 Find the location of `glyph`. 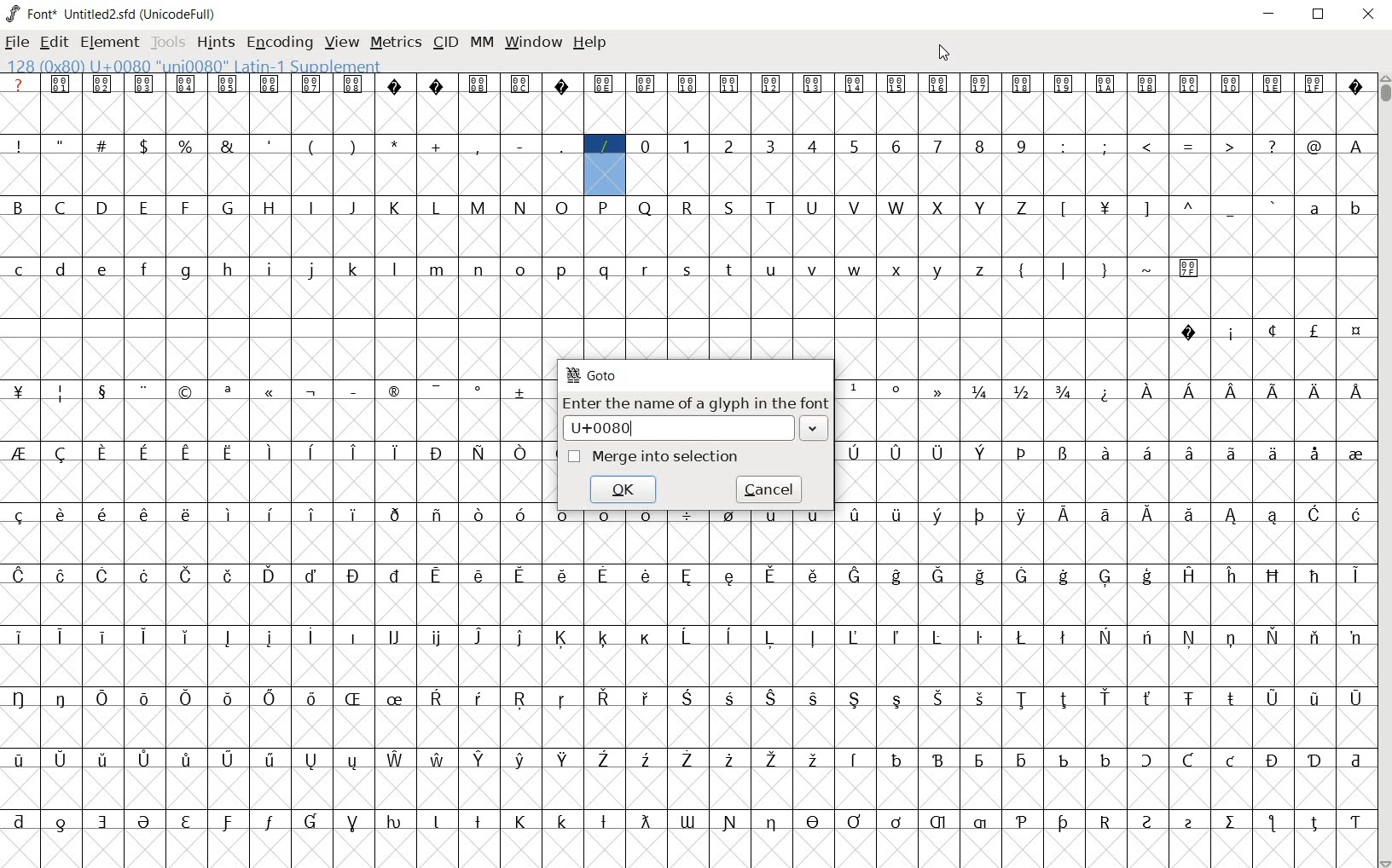

glyph is located at coordinates (520, 453).